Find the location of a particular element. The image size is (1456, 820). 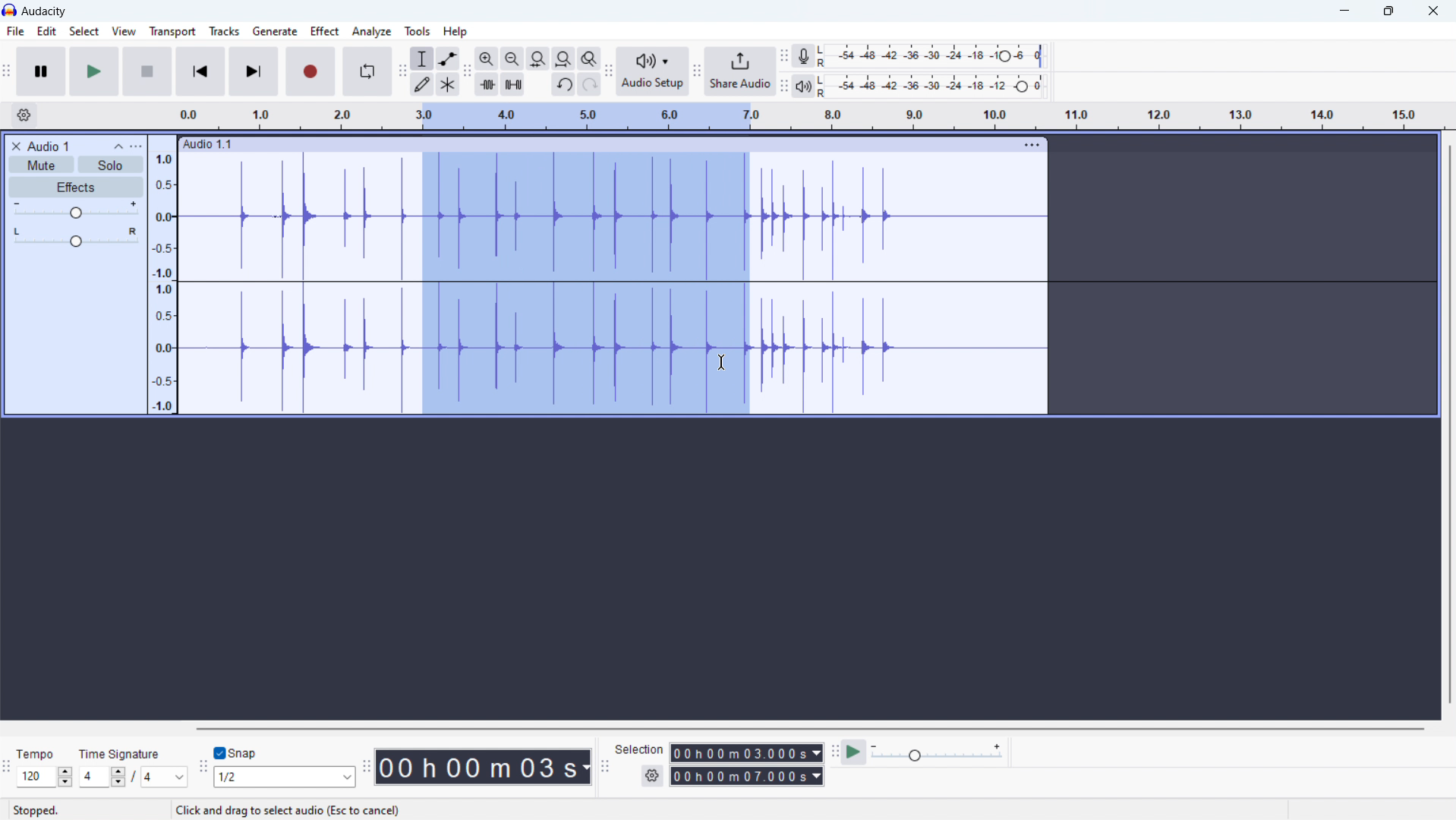

3.0-7.0 timeline (part of the track selected) is located at coordinates (588, 258).